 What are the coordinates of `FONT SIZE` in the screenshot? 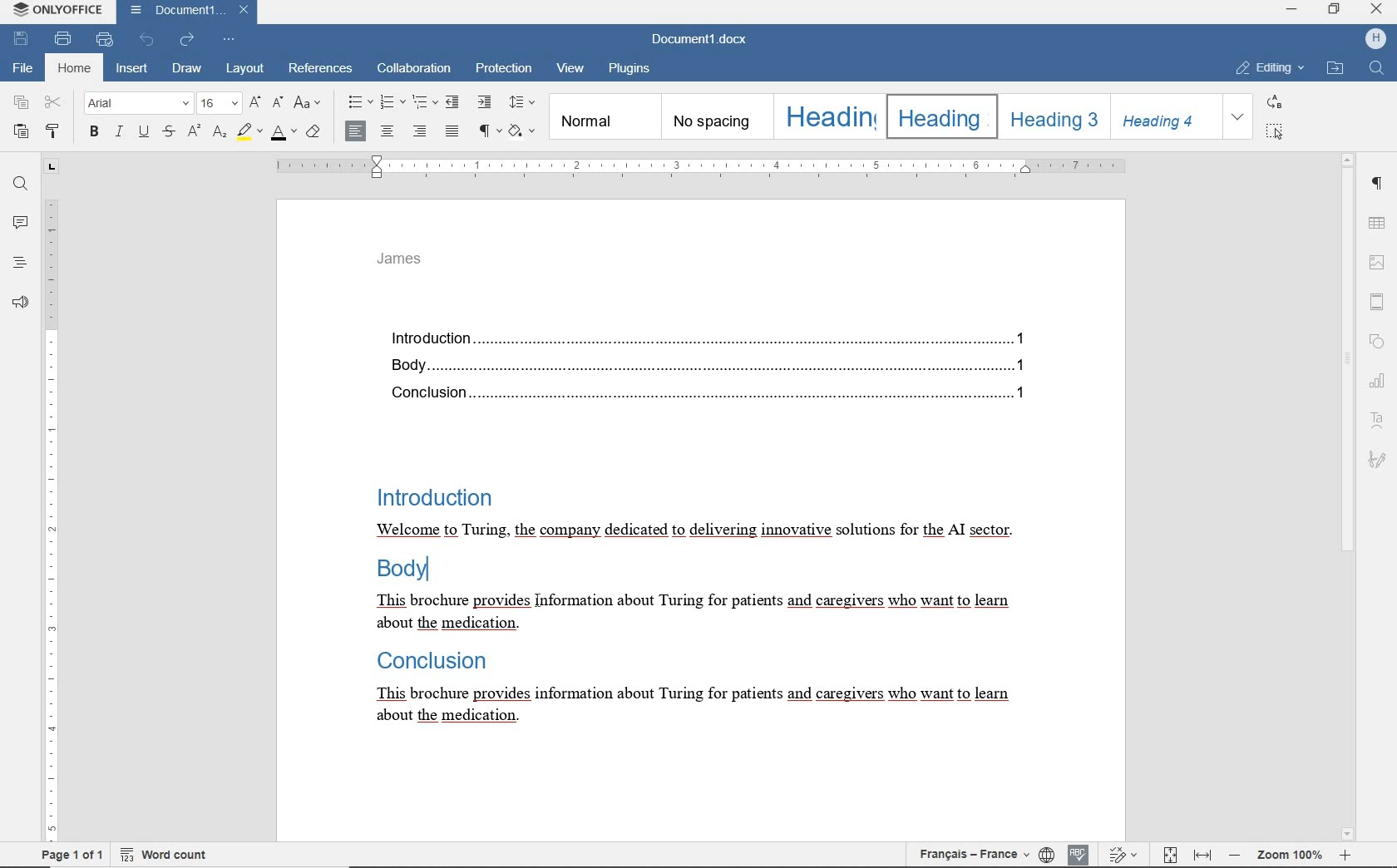 It's located at (220, 102).